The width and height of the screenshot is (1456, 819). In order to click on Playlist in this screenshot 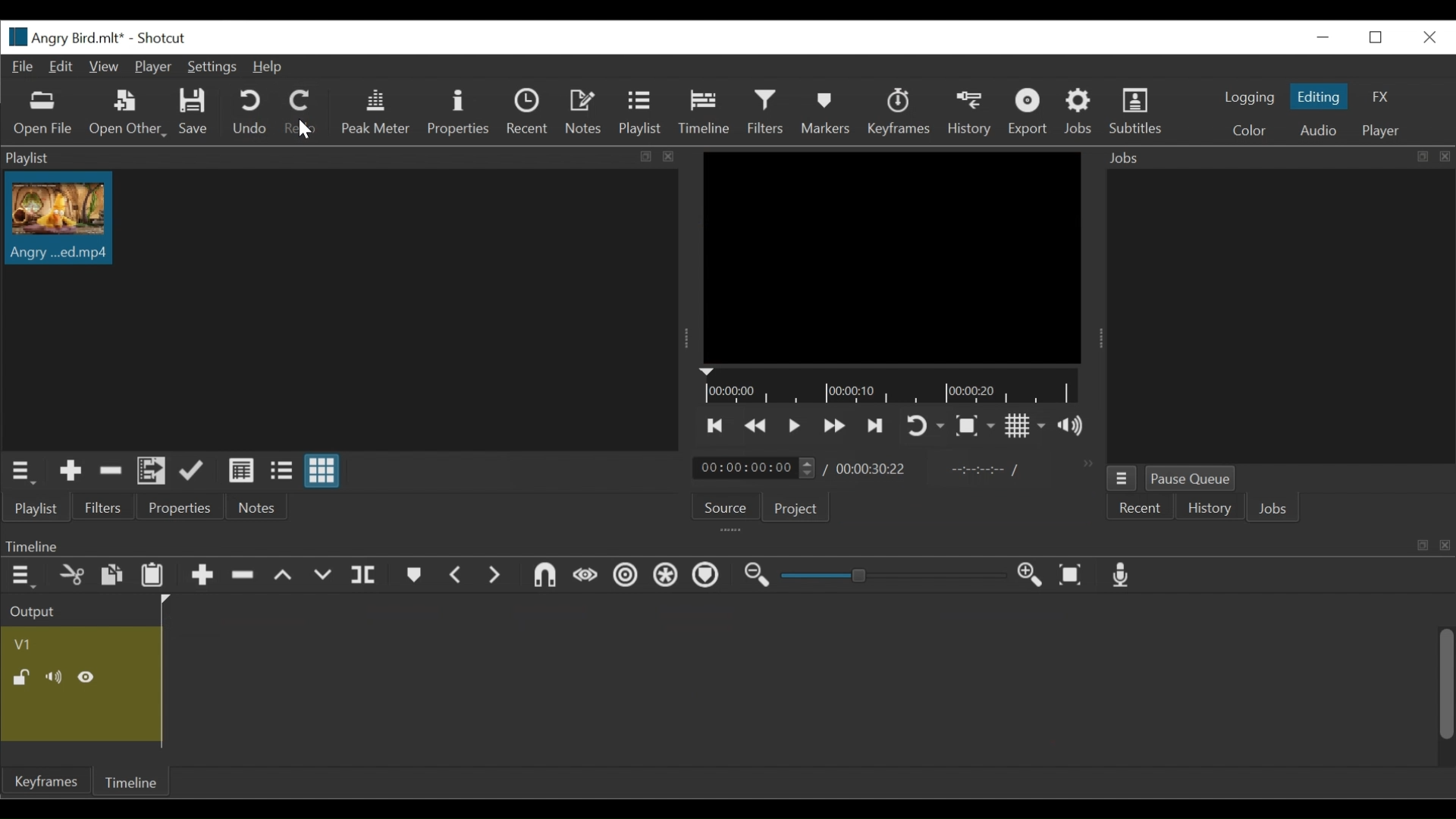, I will do `click(640, 114)`.